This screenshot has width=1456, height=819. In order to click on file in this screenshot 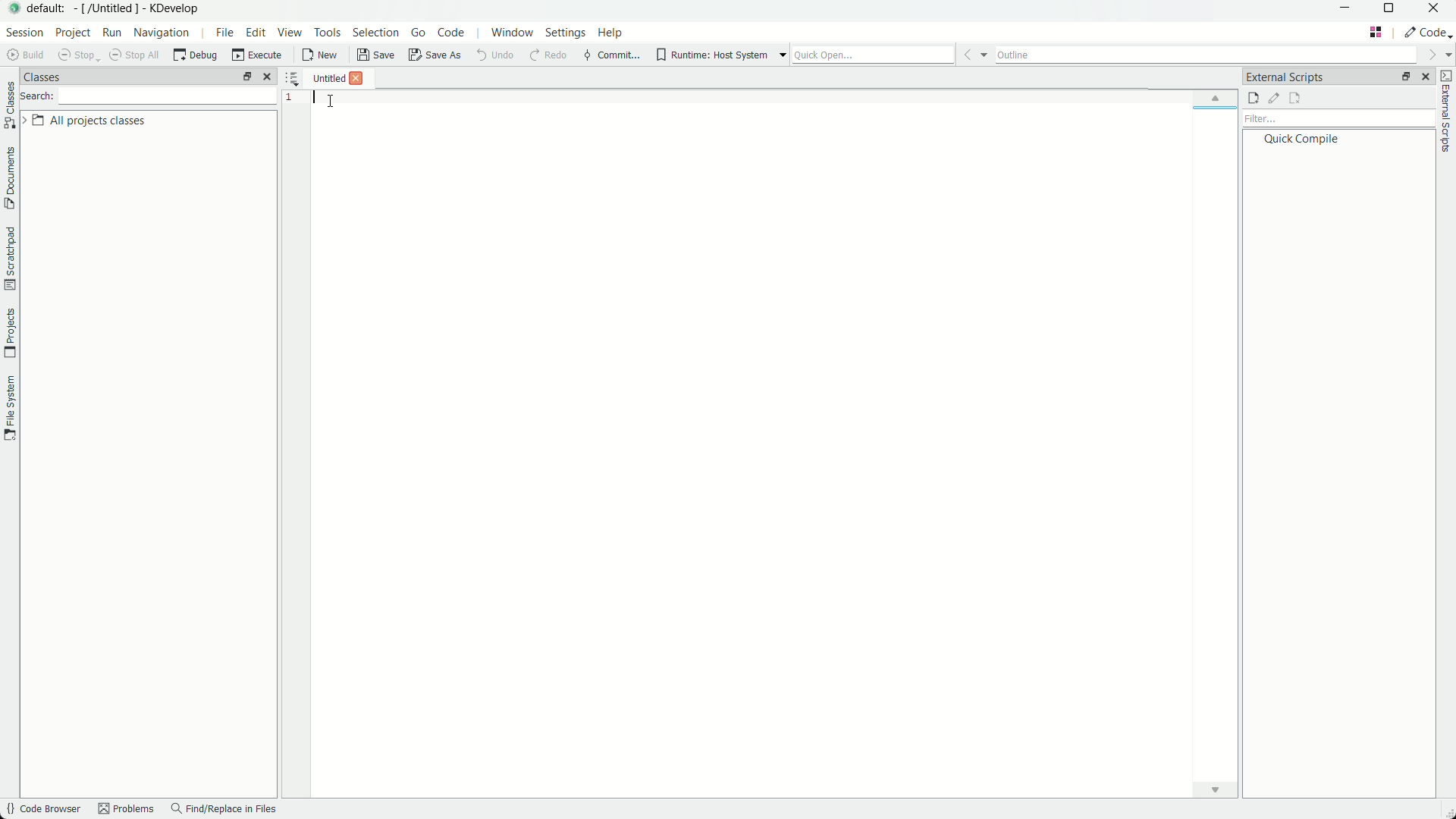, I will do `click(224, 34)`.